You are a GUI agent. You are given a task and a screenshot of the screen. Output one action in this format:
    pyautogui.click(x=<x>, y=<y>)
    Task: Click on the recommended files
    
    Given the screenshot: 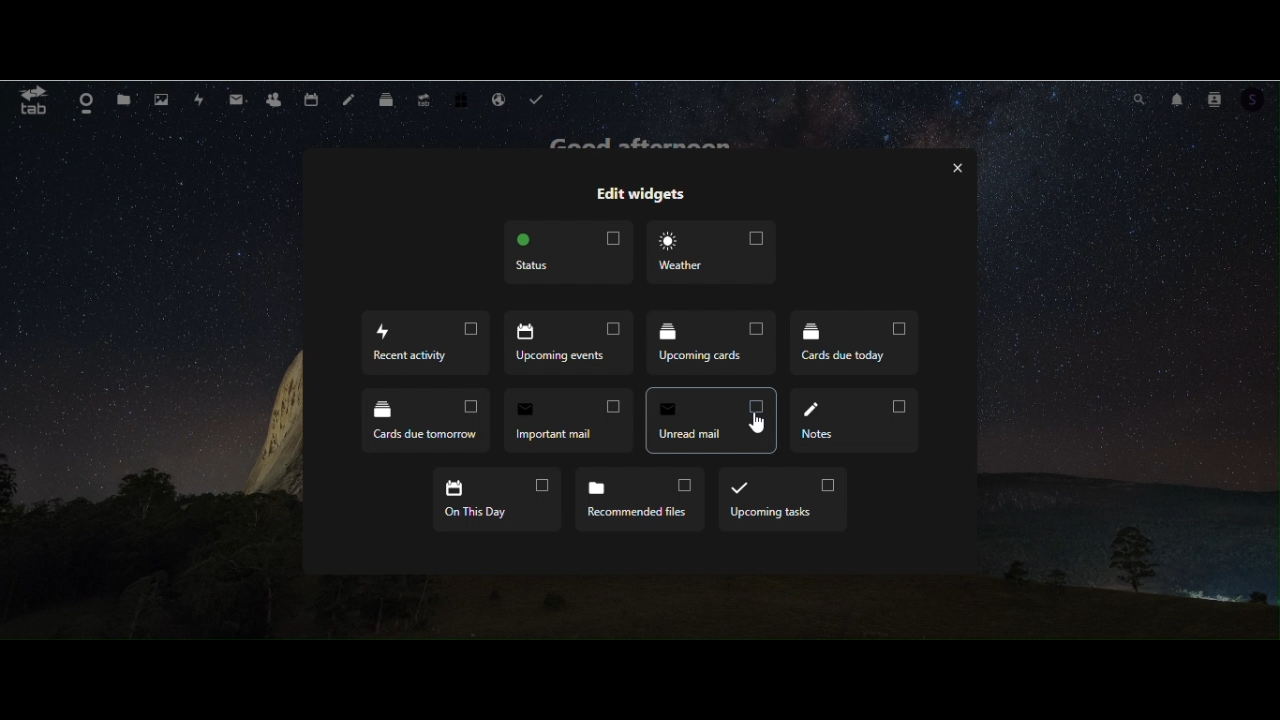 What is the action you would take?
    pyautogui.click(x=638, y=499)
    